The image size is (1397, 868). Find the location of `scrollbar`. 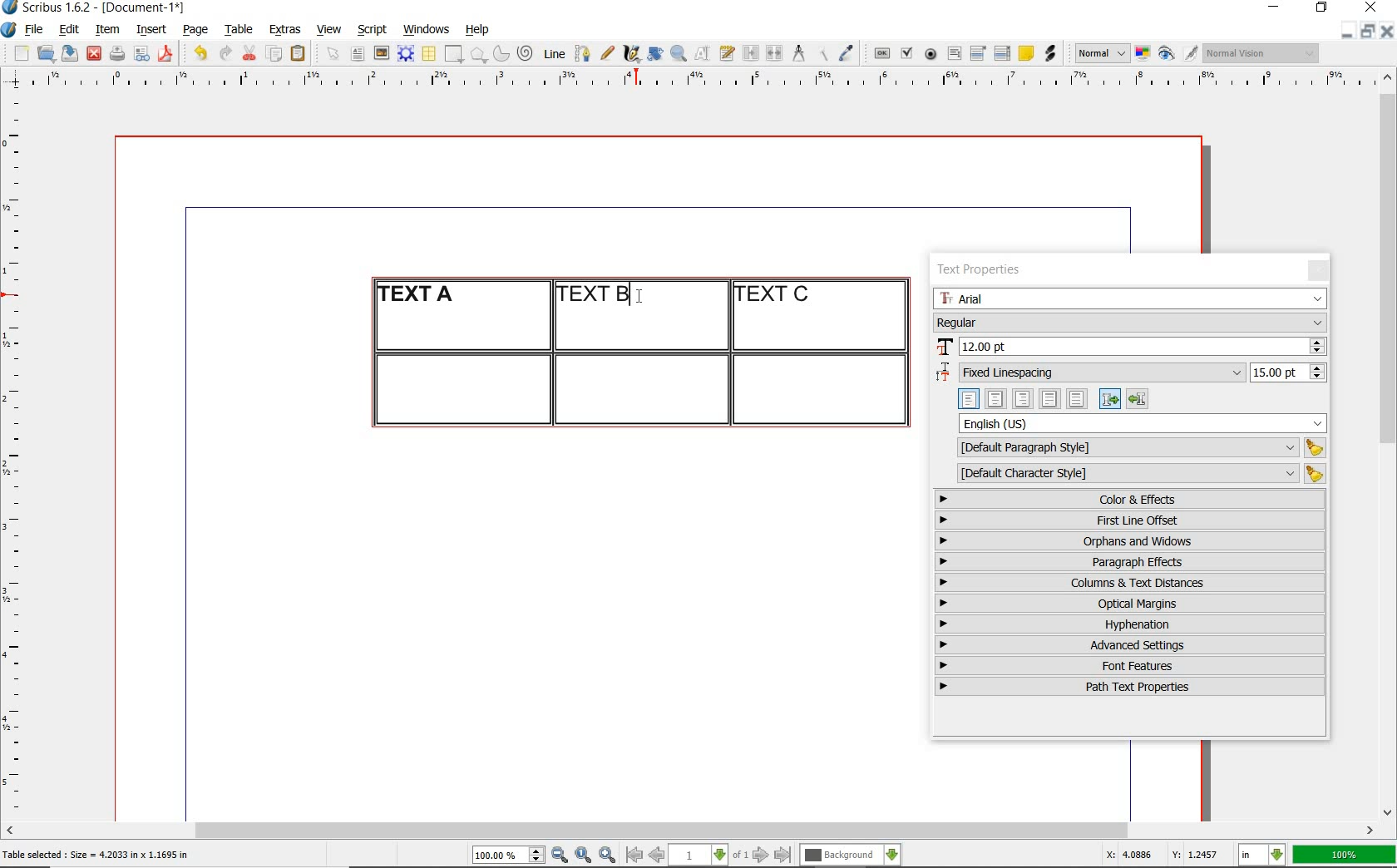

scrollbar is located at coordinates (1389, 443).